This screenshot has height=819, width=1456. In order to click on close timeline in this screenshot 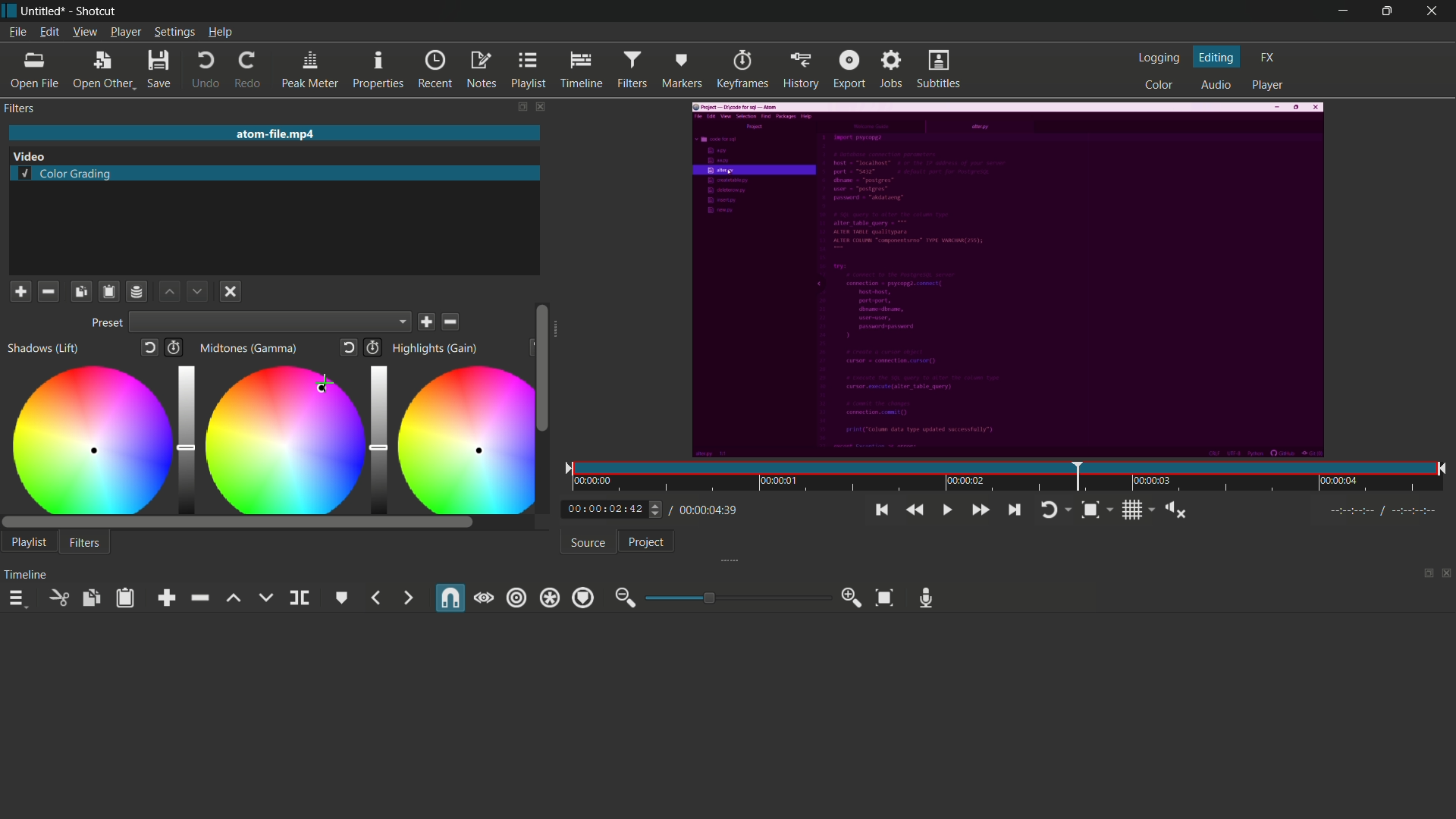, I will do `click(1447, 574)`.